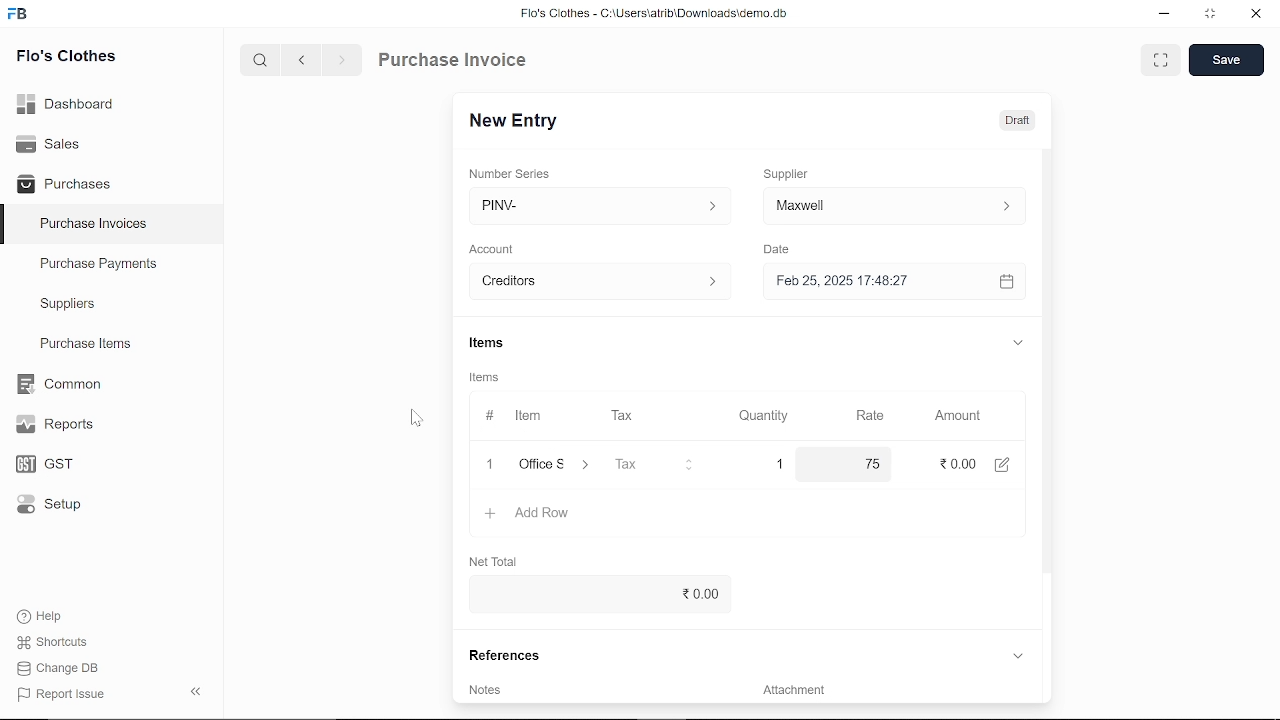 The width and height of the screenshot is (1280, 720). What do you see at coordinates (954, 465) in the screenshot?
I see `0.00` at bounding box center [954, 465].